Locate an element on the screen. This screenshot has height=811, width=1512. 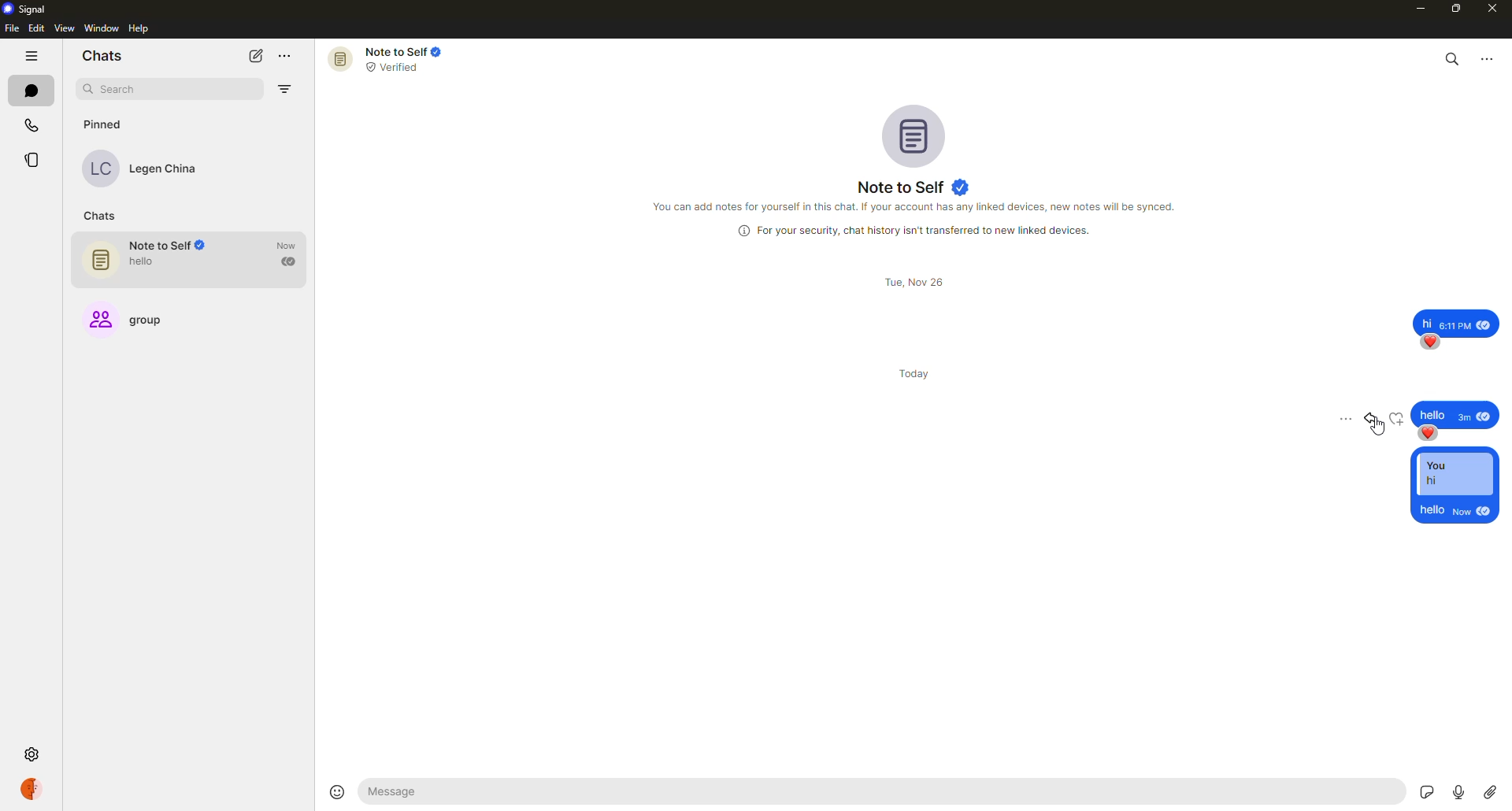
calls is located at coordinates (34, 122).